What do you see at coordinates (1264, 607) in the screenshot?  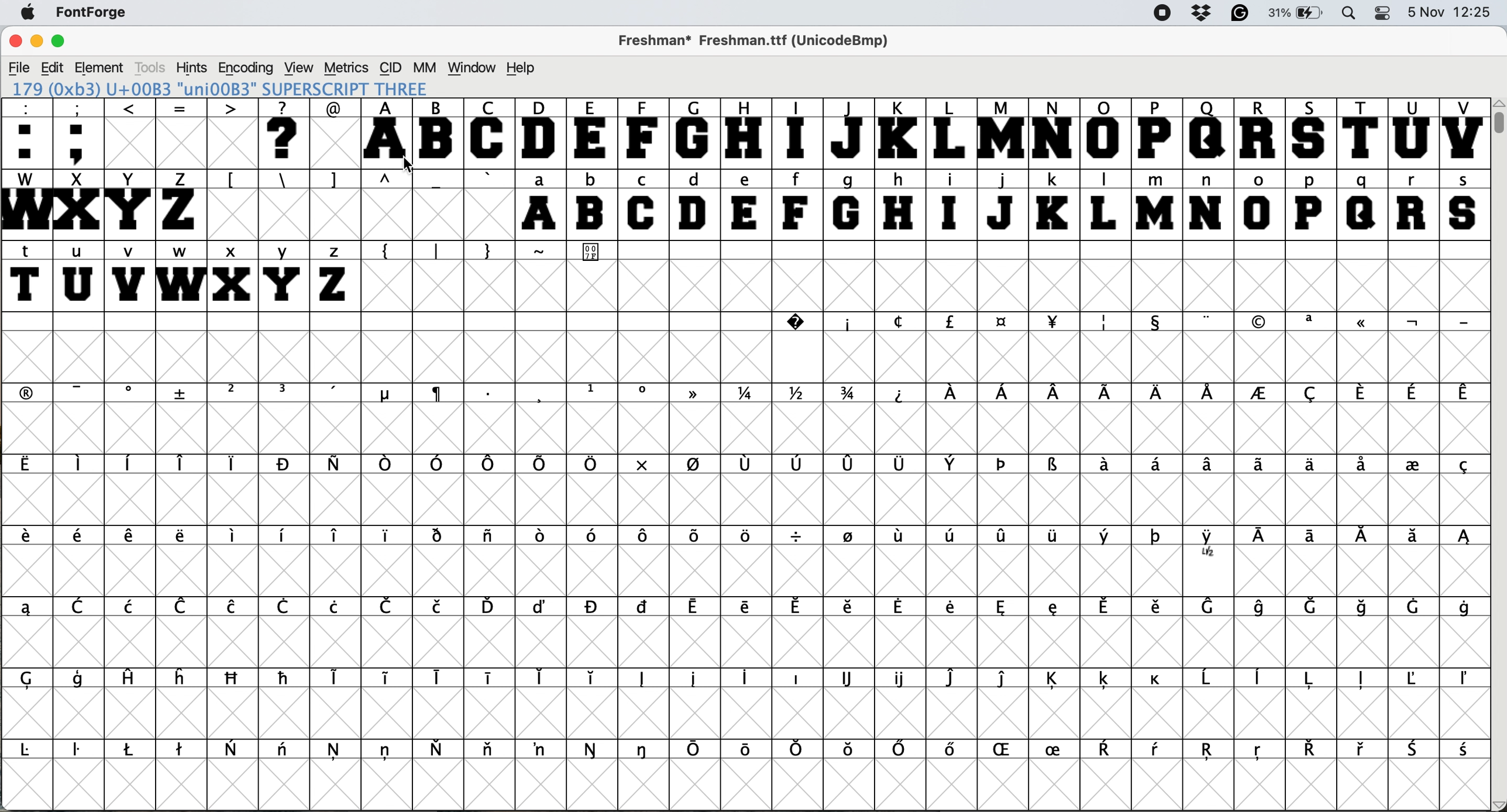 I see `symbol` at bounding box center [1264, 607].